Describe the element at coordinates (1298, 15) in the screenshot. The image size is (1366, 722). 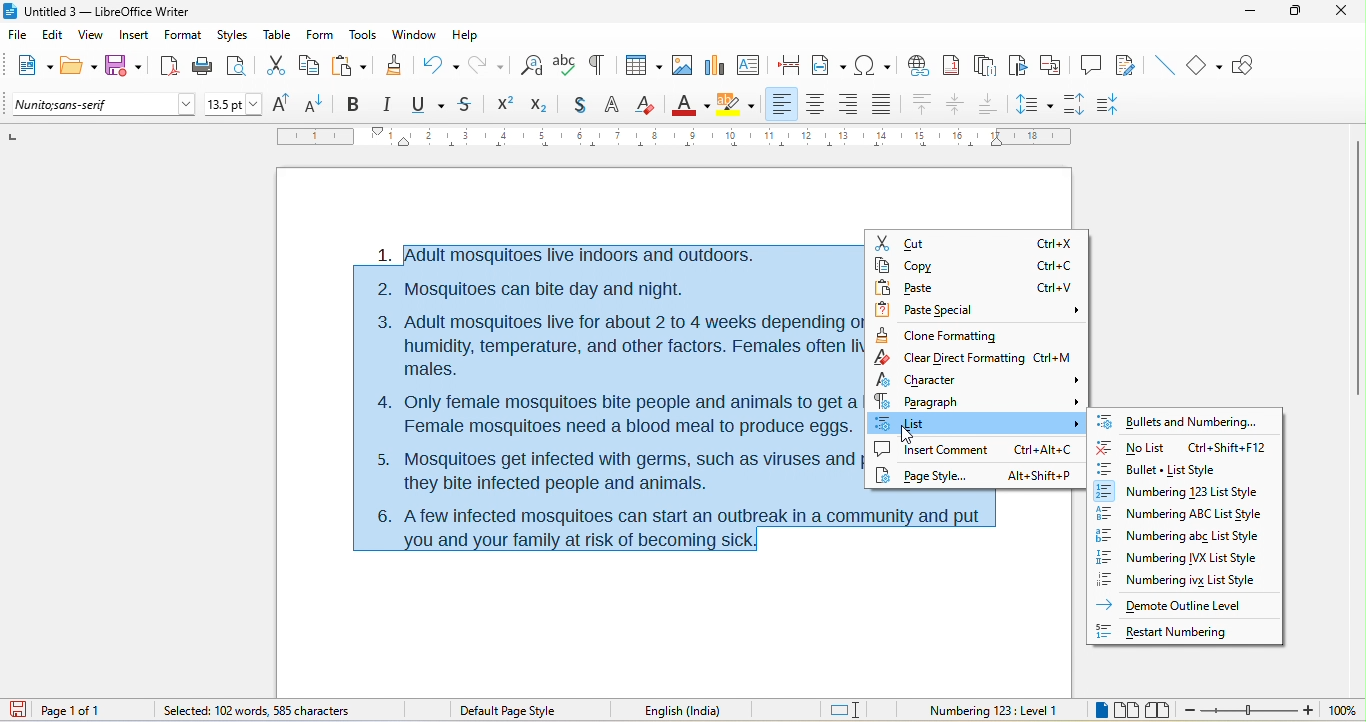
I see `maximize` at that location.